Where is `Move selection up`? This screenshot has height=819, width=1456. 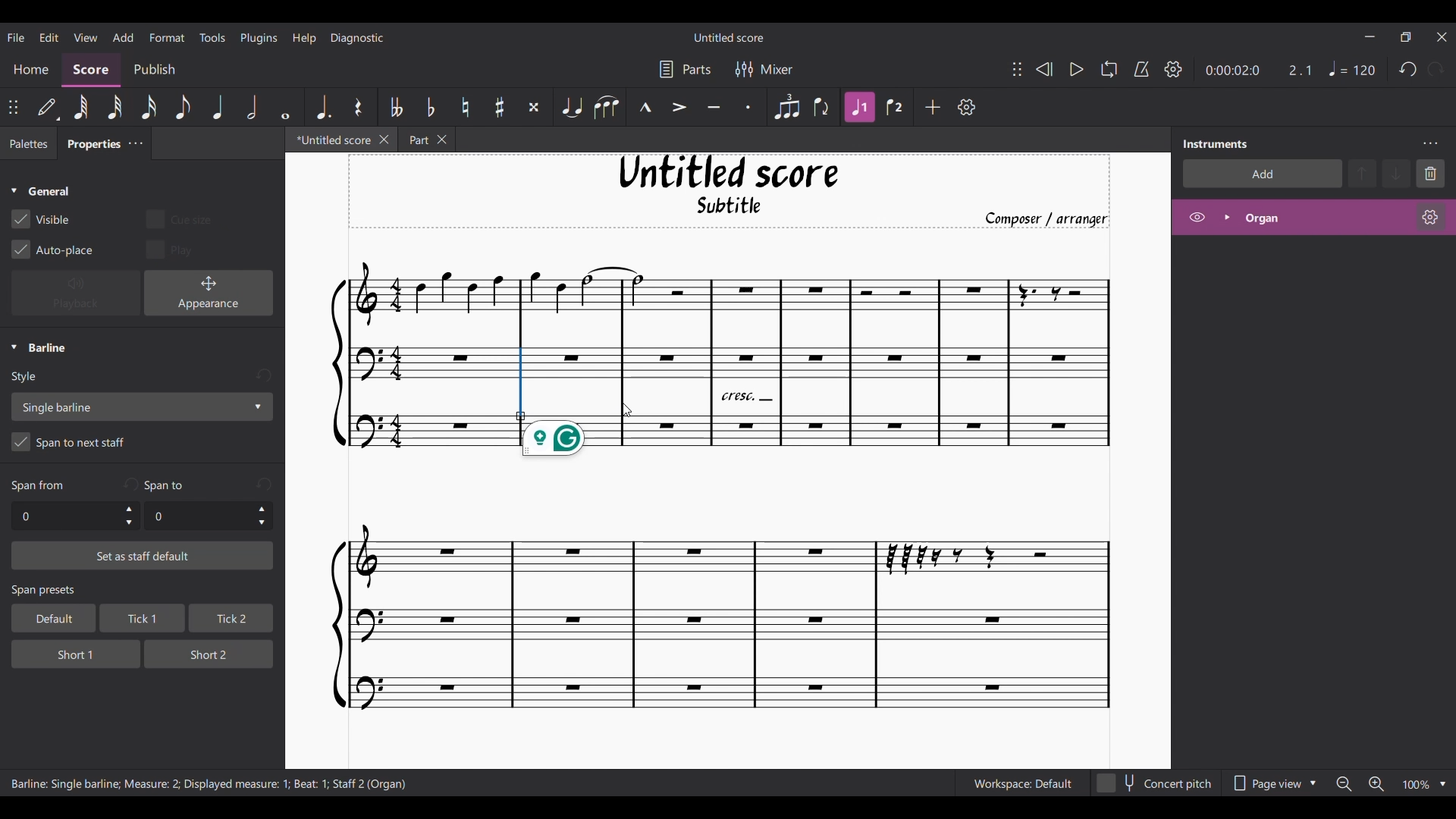
Move selection up is located at coordinates (1363, 173).